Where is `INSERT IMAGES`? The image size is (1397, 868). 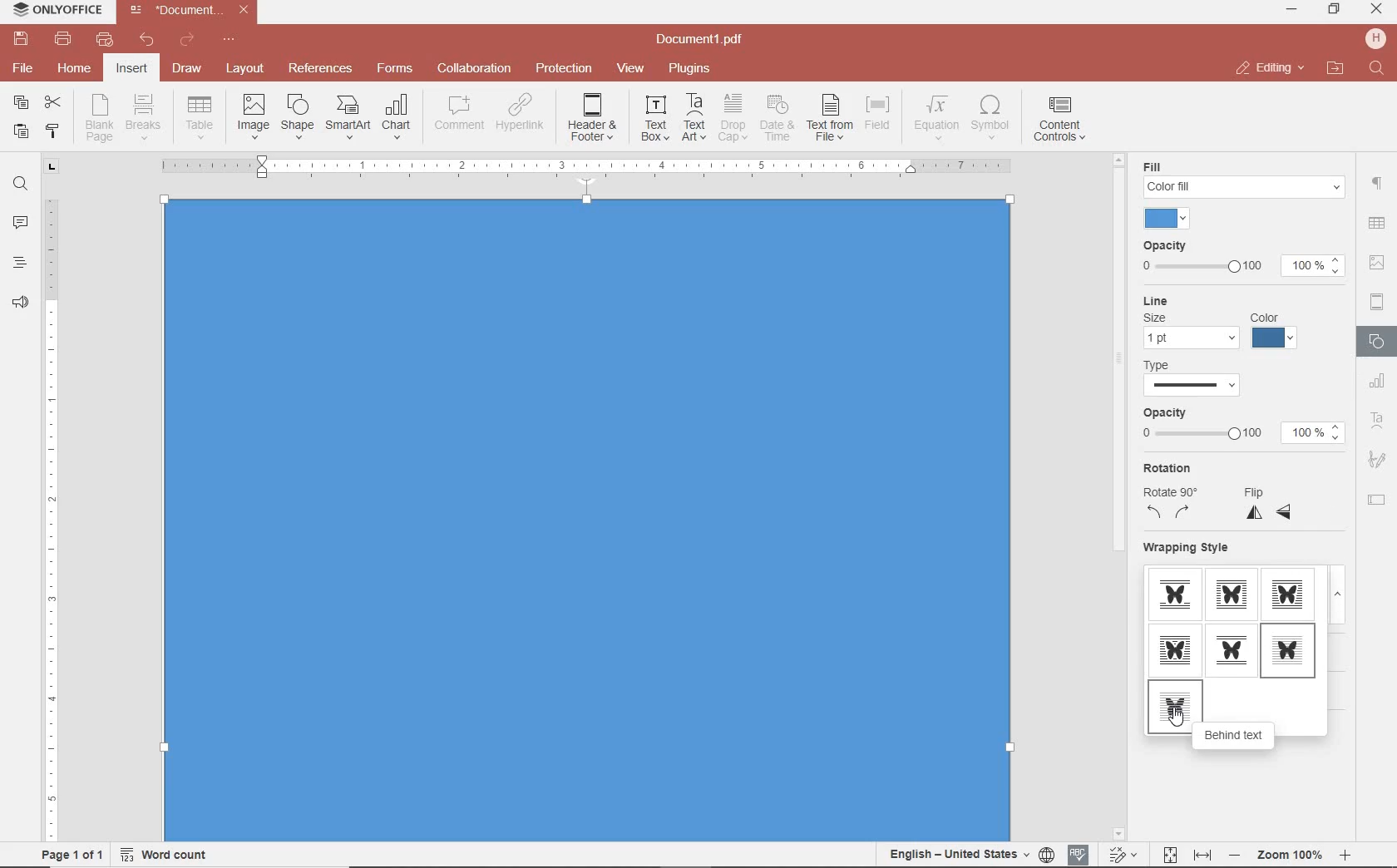 INSERT IMAGES is located at coordinates (254, 116).